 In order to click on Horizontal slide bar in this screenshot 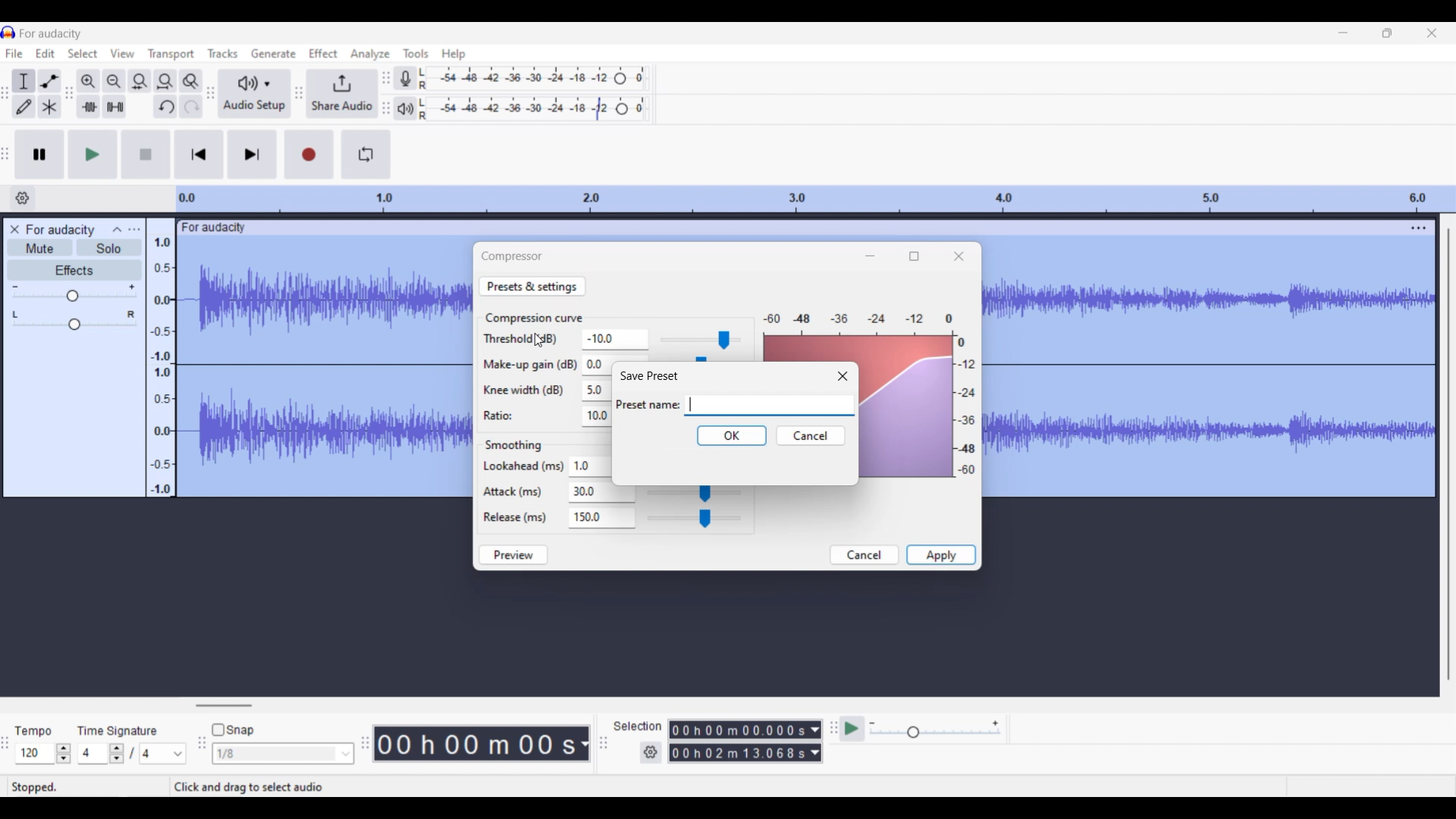, I will do `click(224, 705)`.